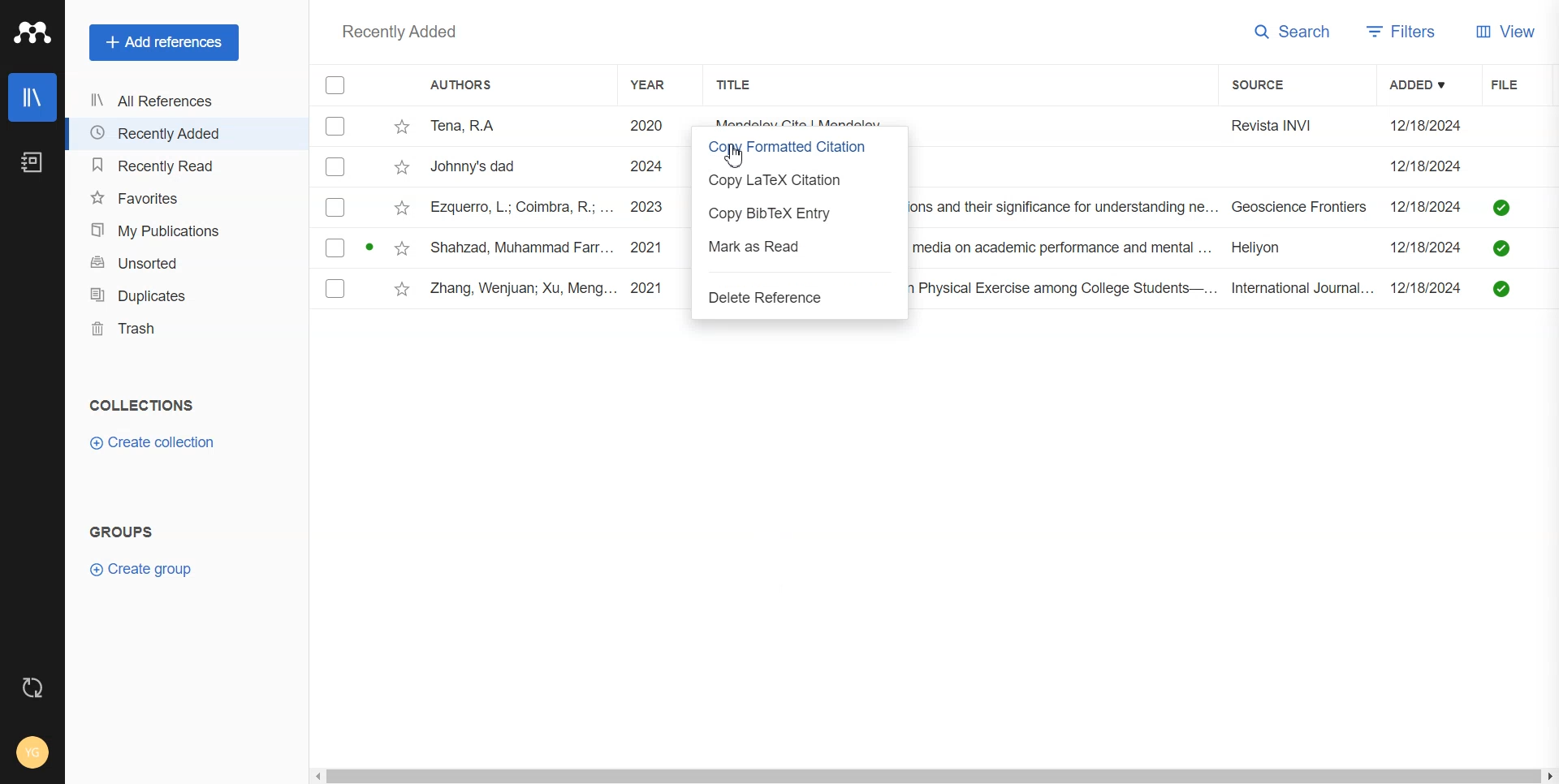 The image size is (1559, 784). What do you see at coordinates (1427, 126) in the screenshot?
I see `12/18/2024` at bounding box center [1427, 126].